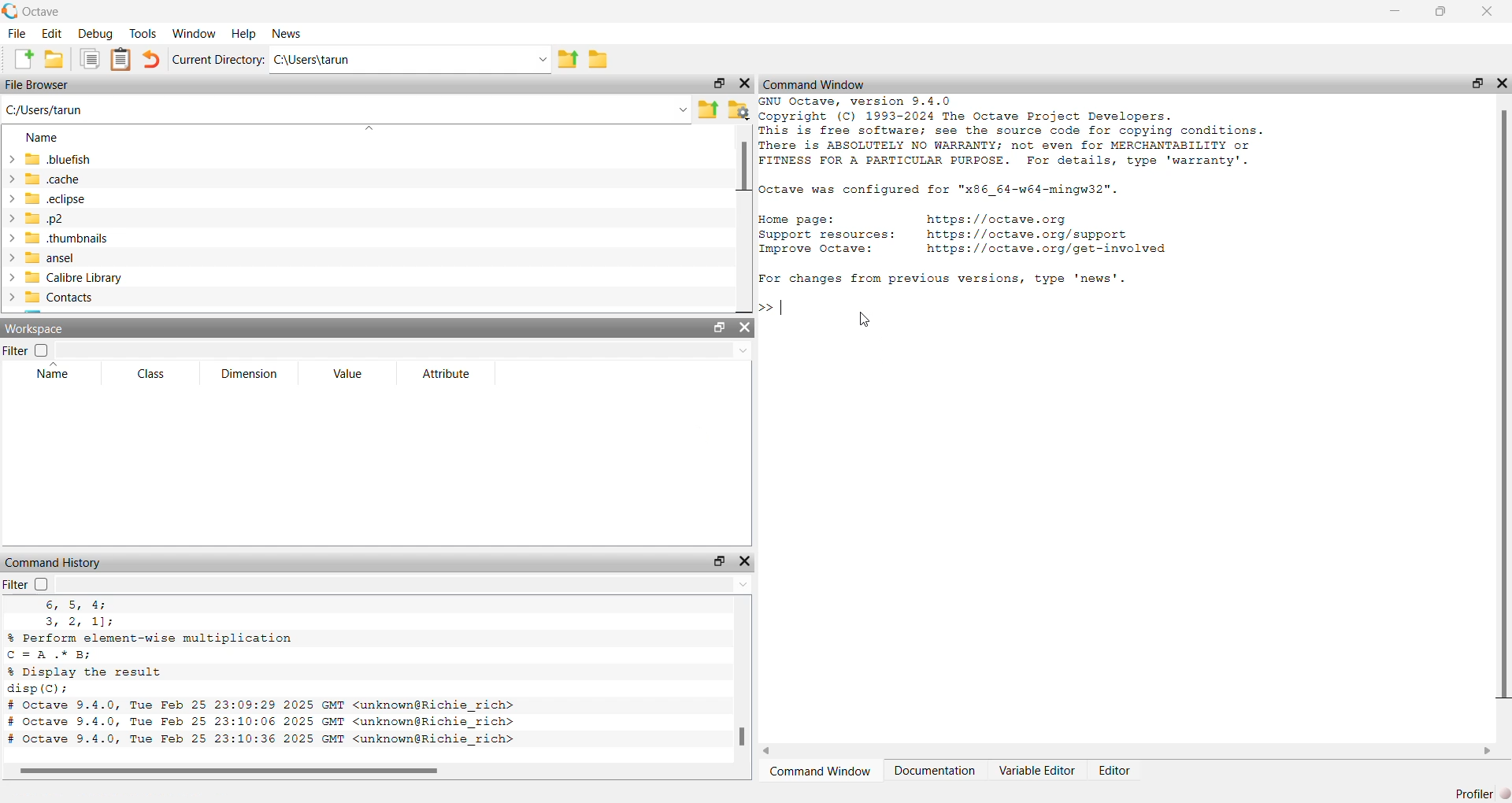 The height and width of the screenshot is (803, 1512). Describe the element at coordinates (815, 83) in the screenshot. I see `Command Window` at that location.